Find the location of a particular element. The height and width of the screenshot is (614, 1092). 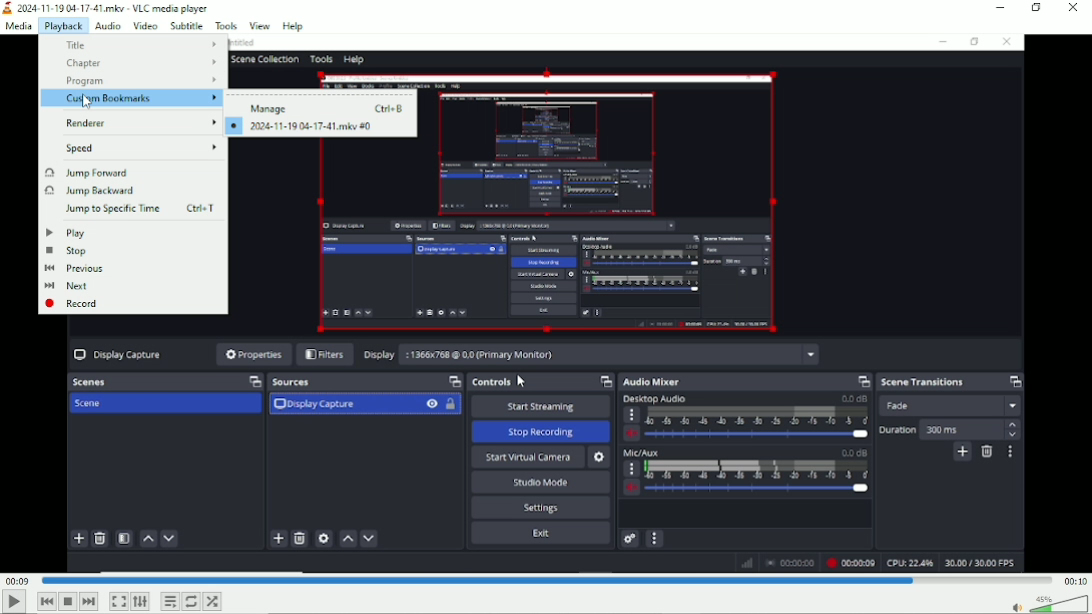

Jump backward is located at coordinates (101, 191).